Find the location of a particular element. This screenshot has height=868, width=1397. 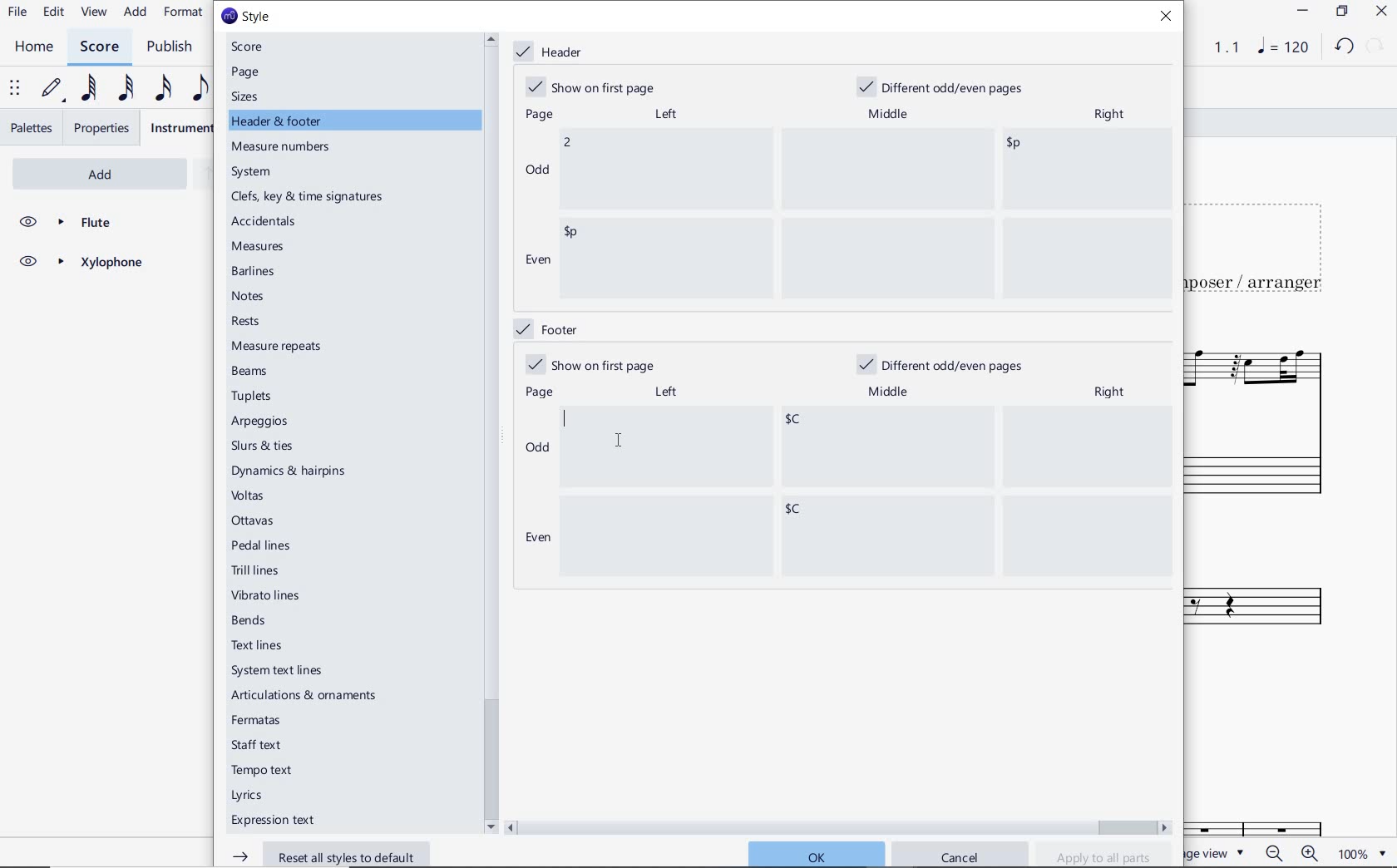

different odd/even pages is located at coordinates (946, 85).